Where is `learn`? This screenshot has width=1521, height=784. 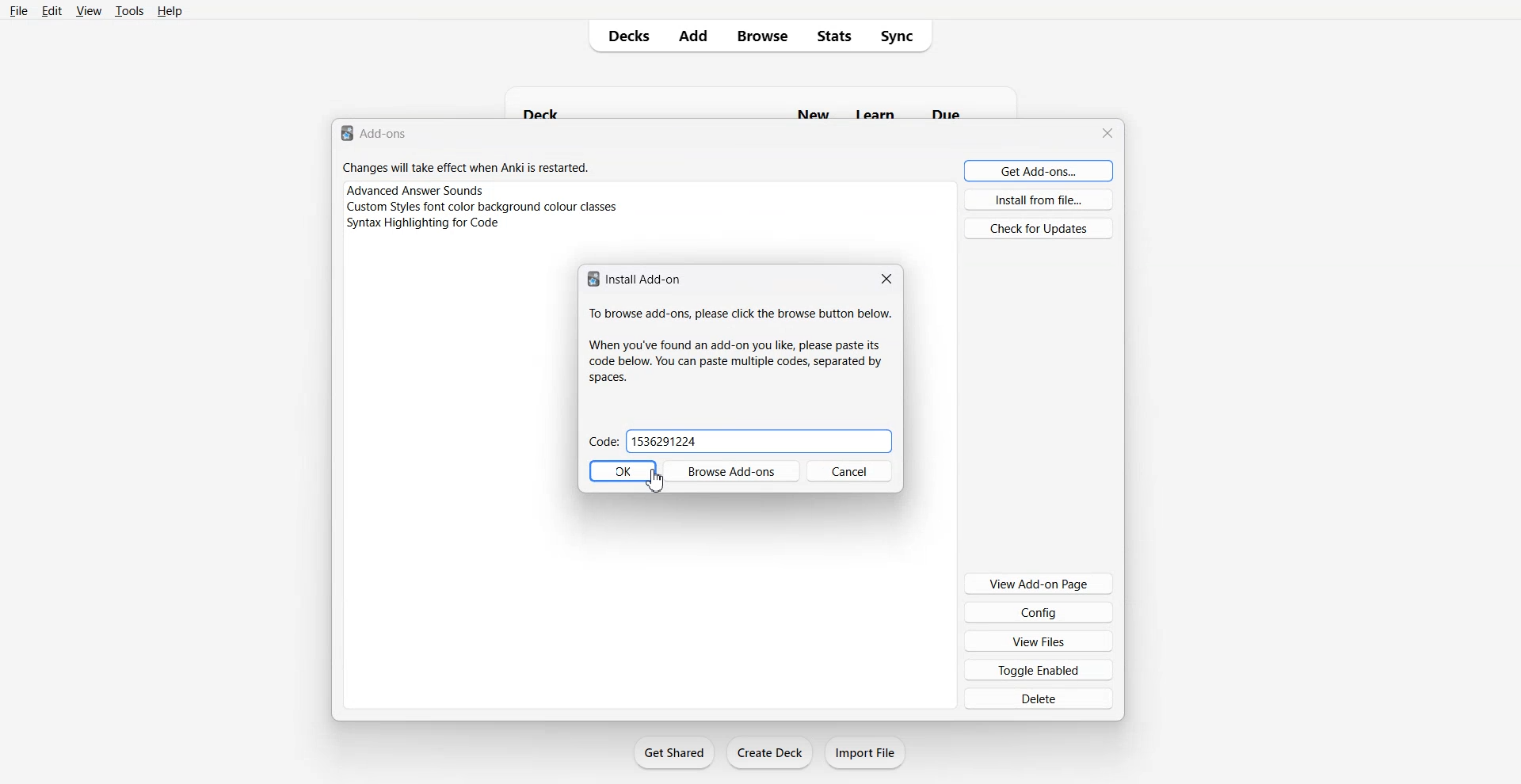
learn is located at coordinates (872, 113).